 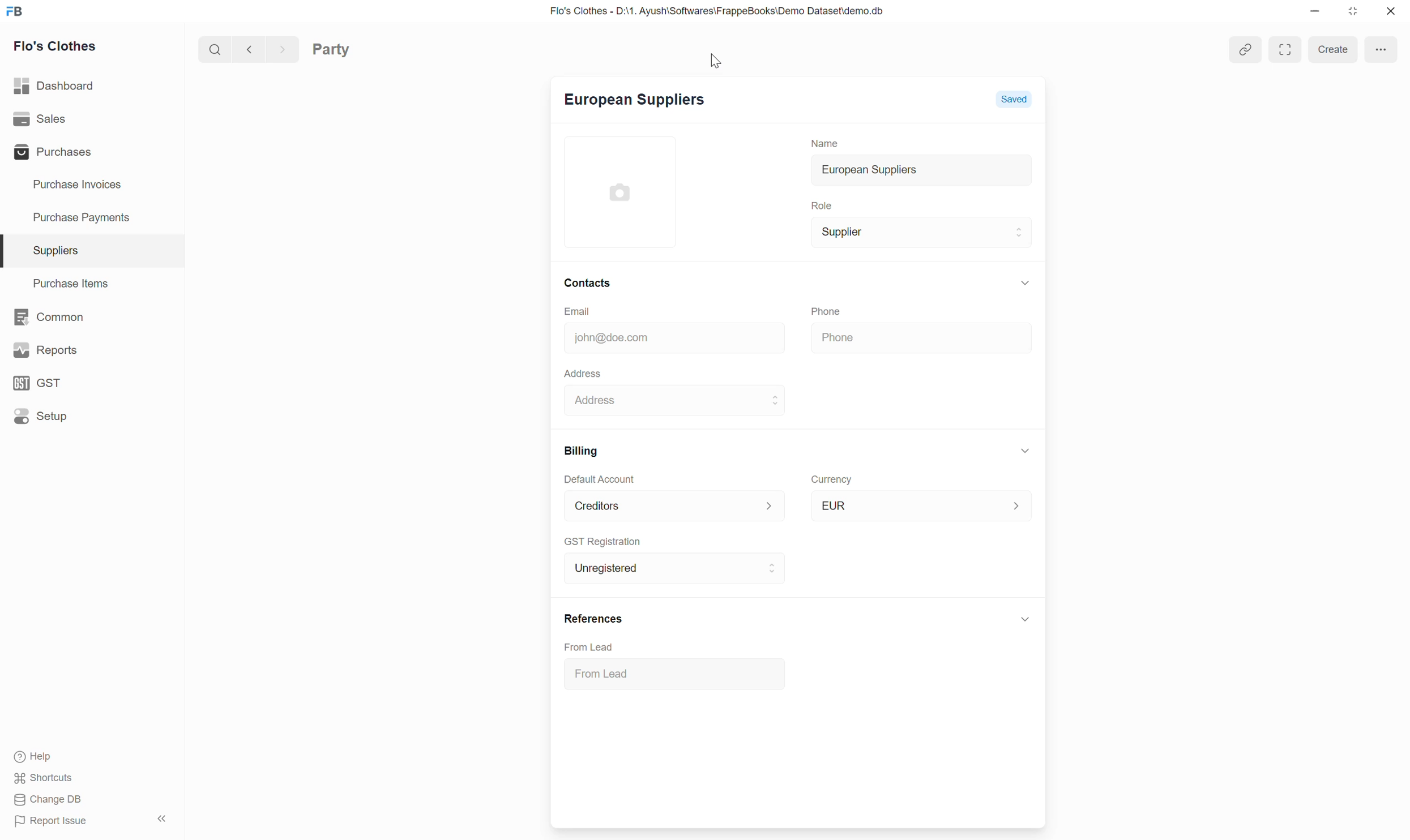 What do you see at coordinates (630, 102) in the screenshot?
I see `European Suppliers` at bounding box center [630, 102].